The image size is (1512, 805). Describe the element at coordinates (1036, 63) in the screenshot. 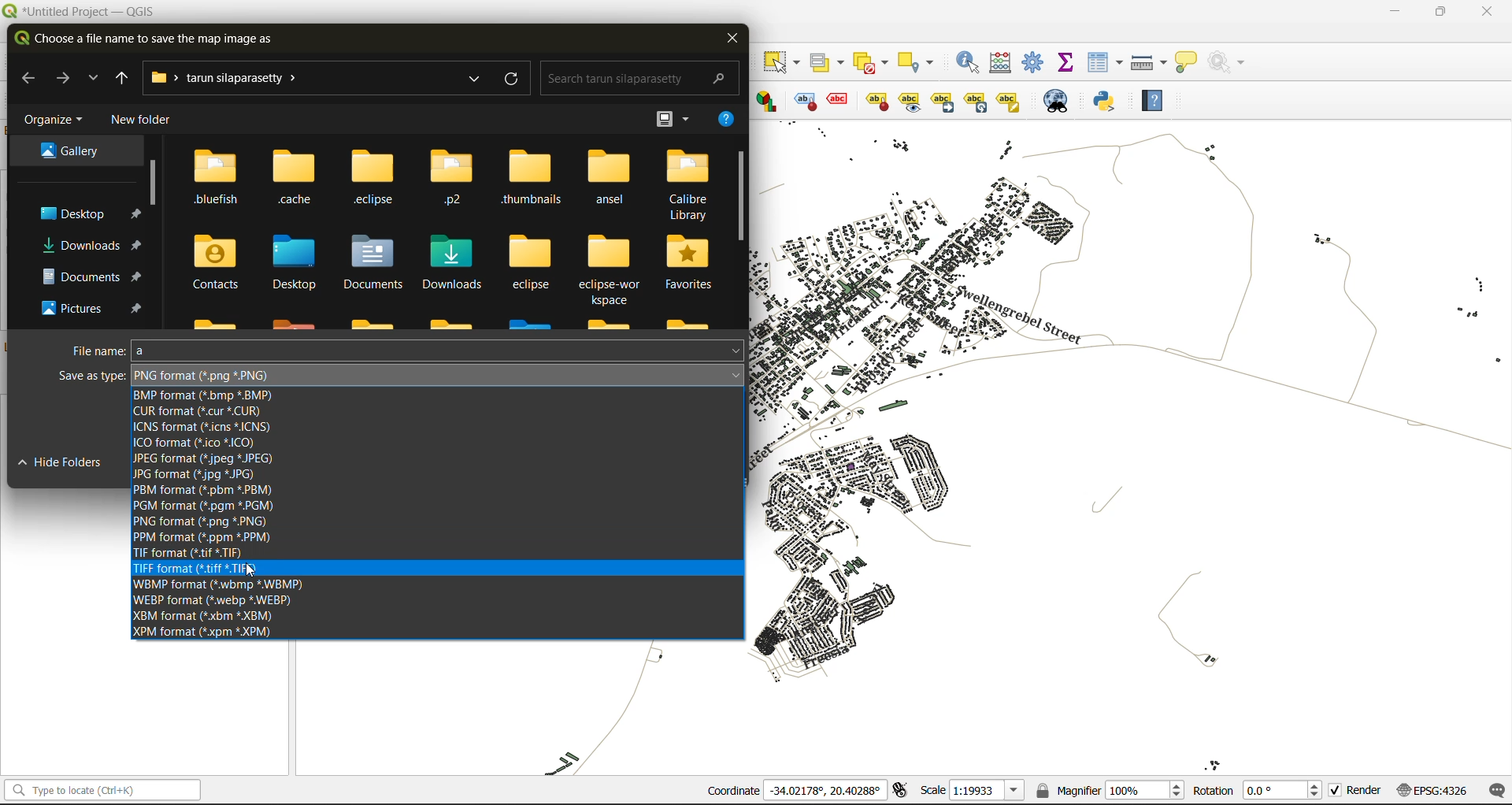

I see `toolbox` at that location.